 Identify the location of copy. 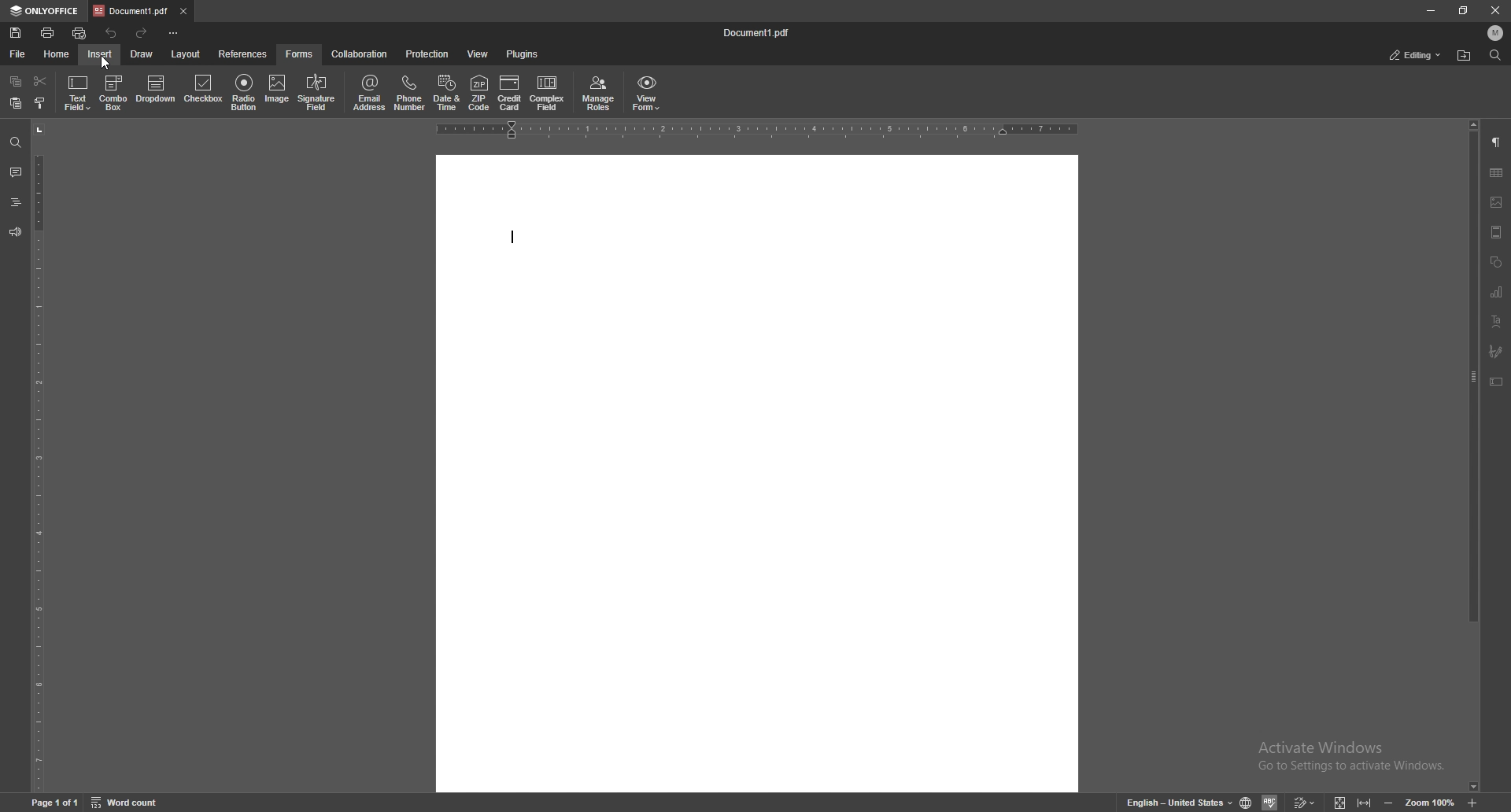
(17, 80).